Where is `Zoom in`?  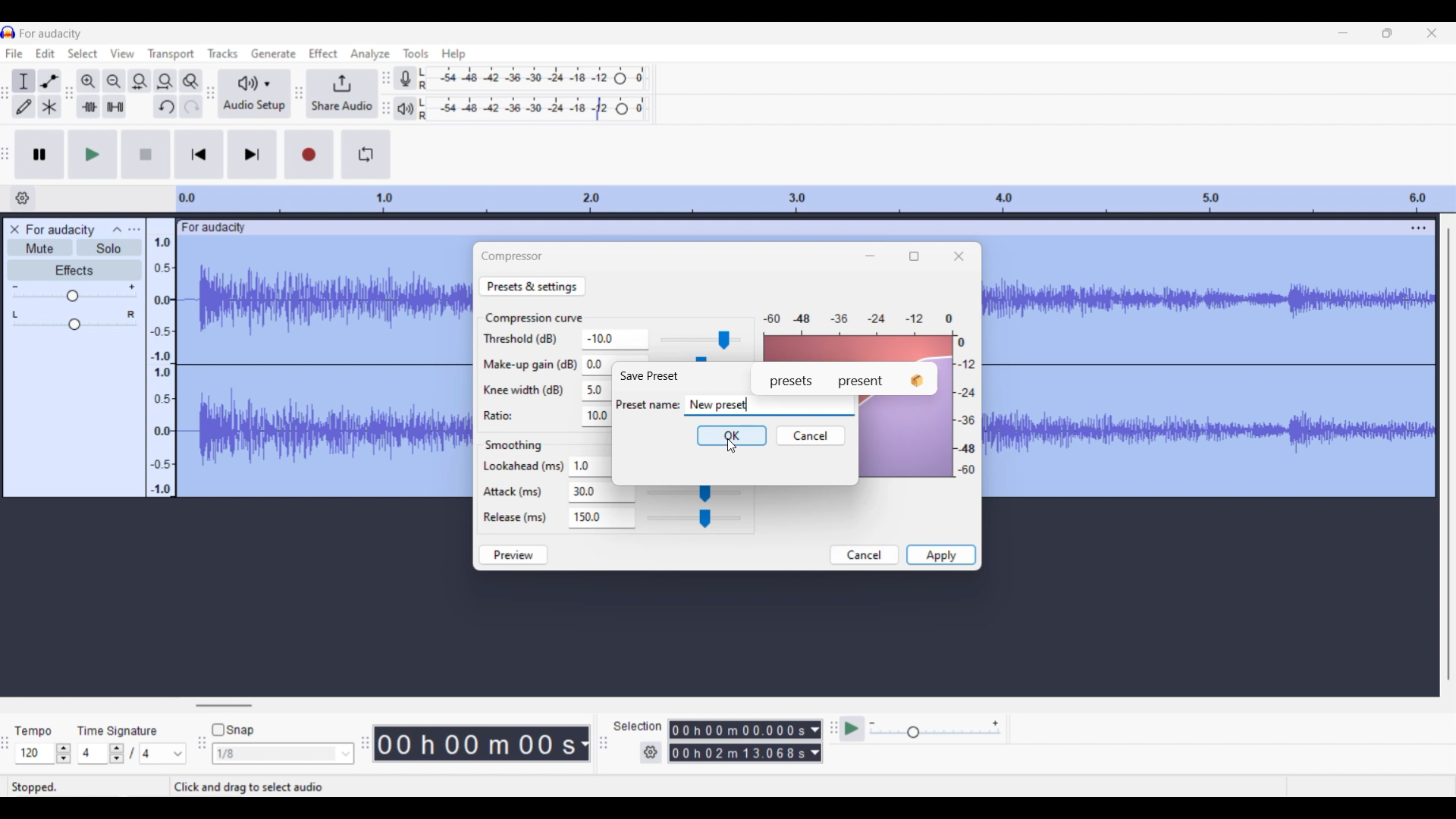
Zoom in is located at coordinates (89, 81).